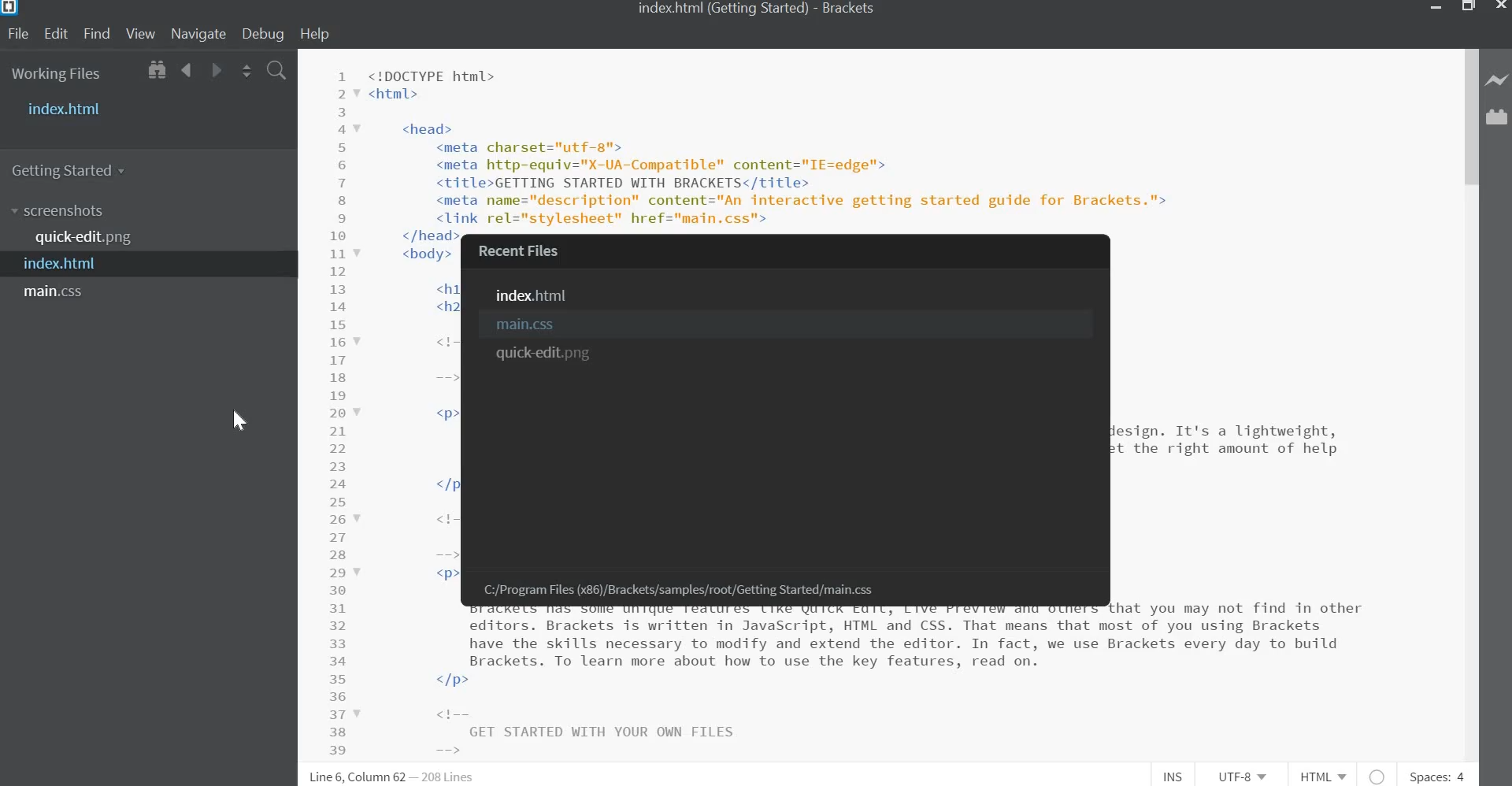 This screenshot has height=786, width=1512. I want to click on editor area, so click(1288, 497).